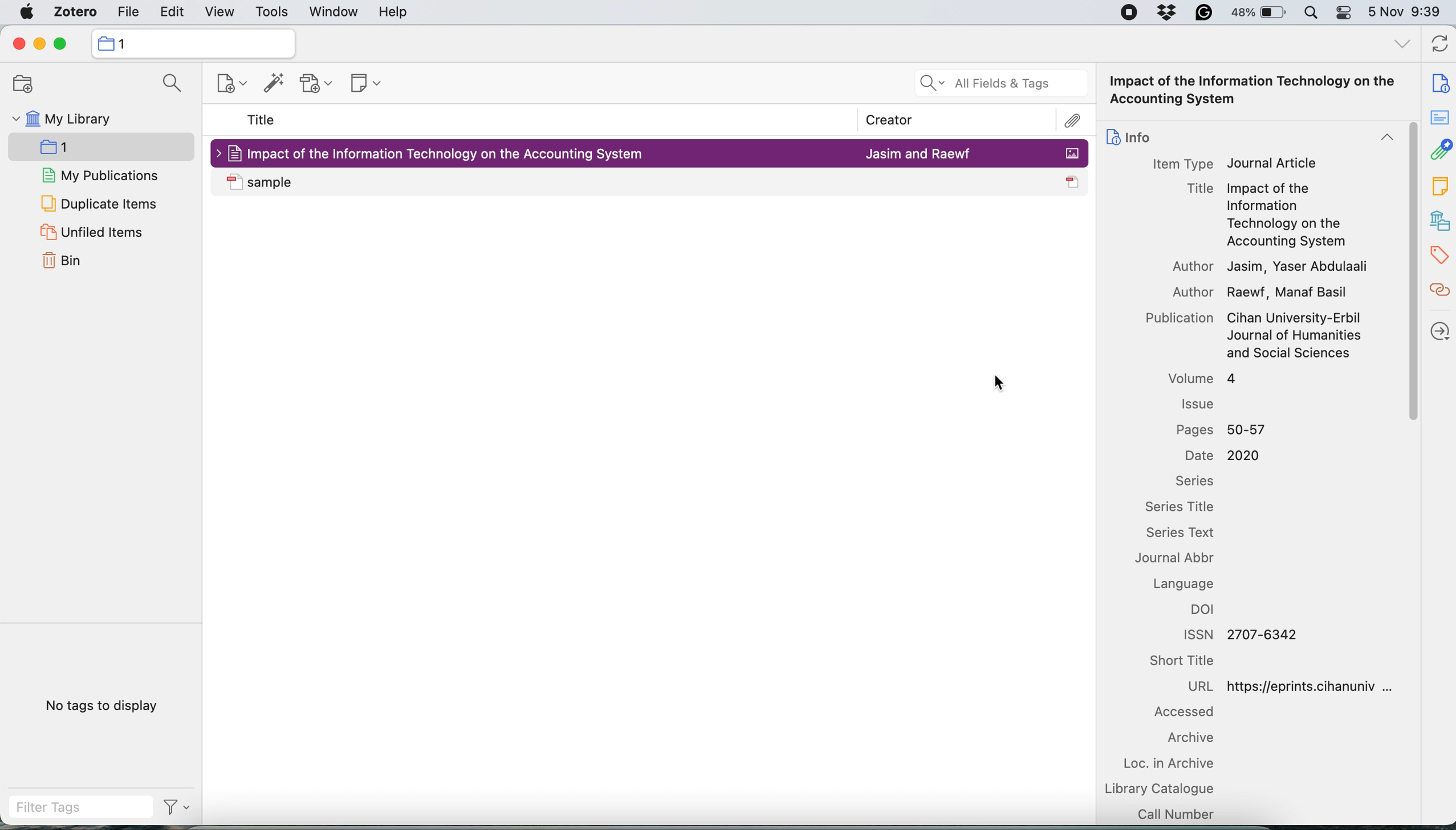 The height and width of the screenshot is (830, 1456). I want to click on edit, so click(169, 13).